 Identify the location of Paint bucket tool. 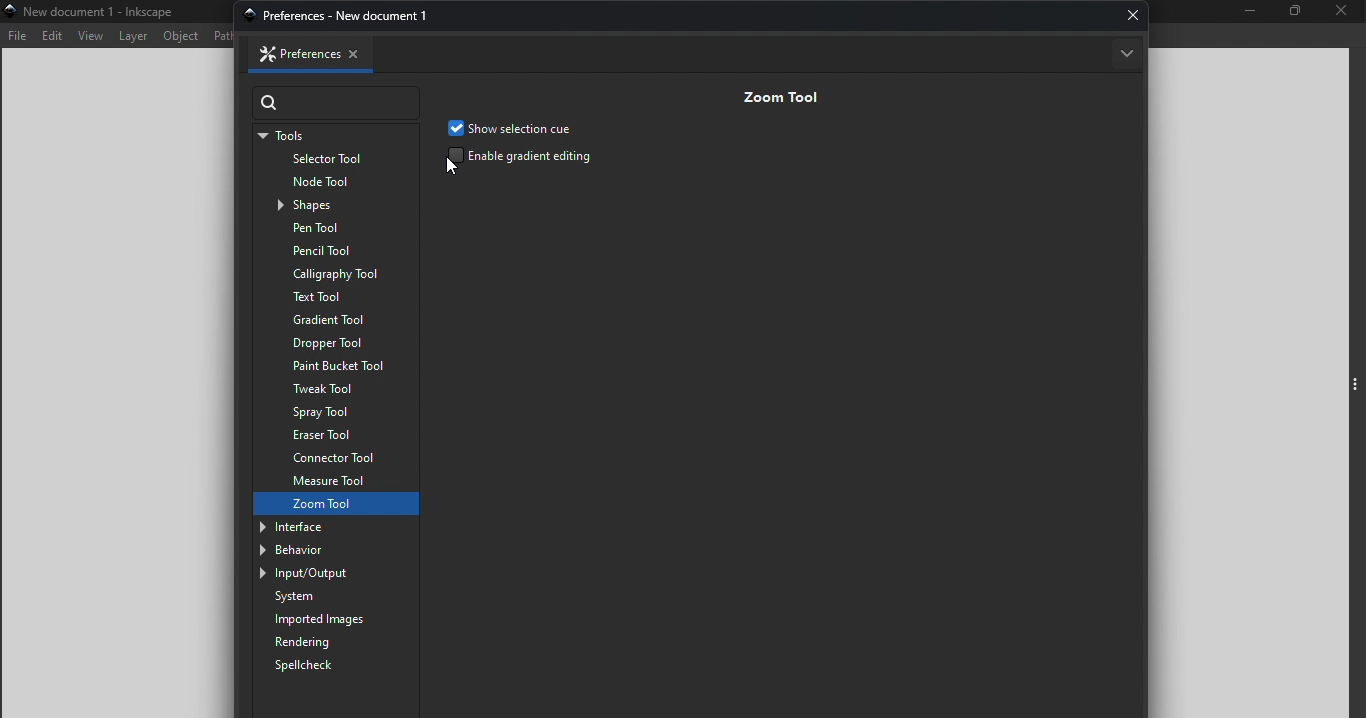
(346, 366).